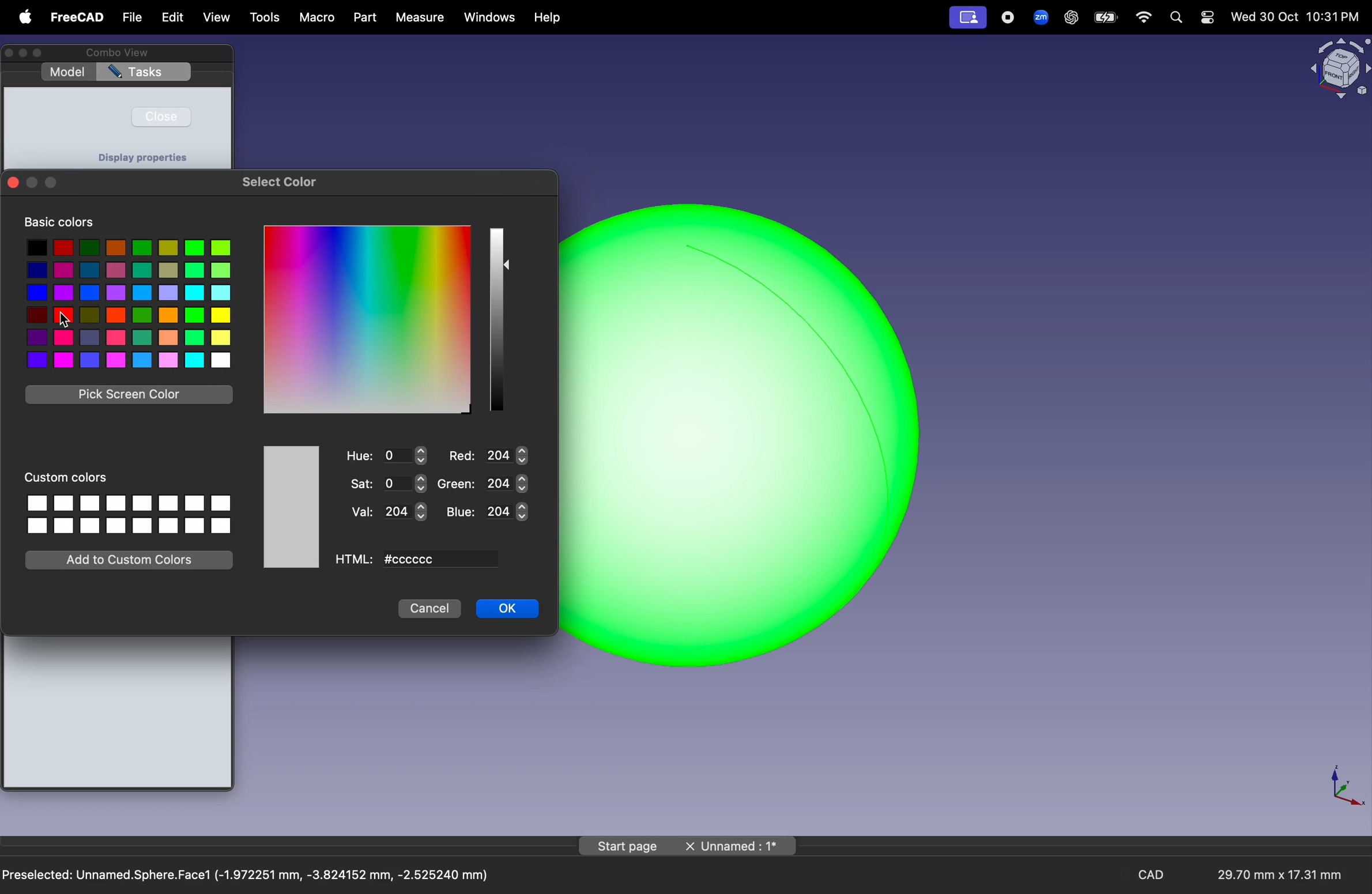 The height and width of the screenshot is (894, 1372). Describe the element at coordinates (355, 560) in the screenshot. I see `html` at that location.